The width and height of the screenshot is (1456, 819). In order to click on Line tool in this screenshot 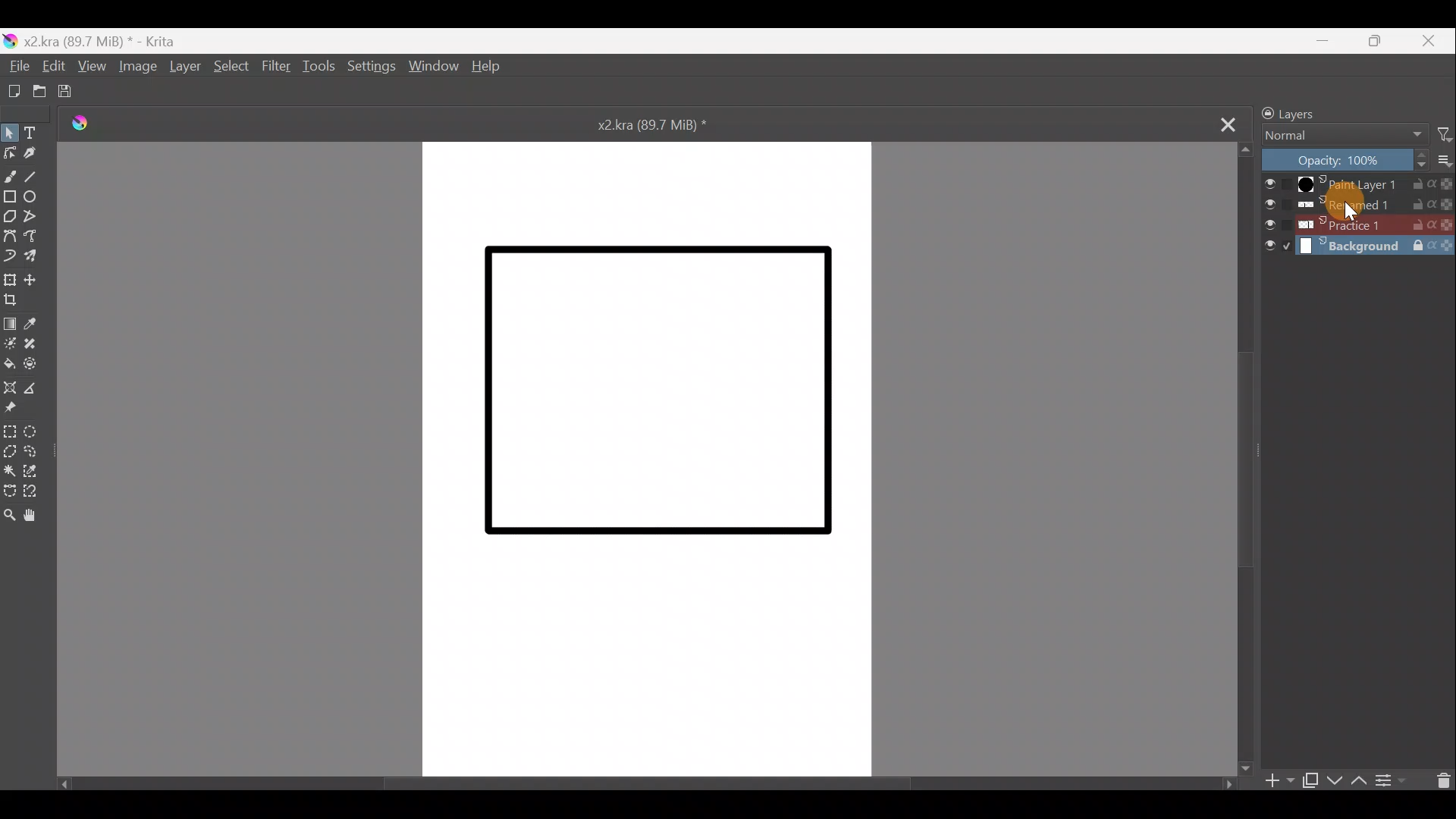, I will do `click(42, 177)`.